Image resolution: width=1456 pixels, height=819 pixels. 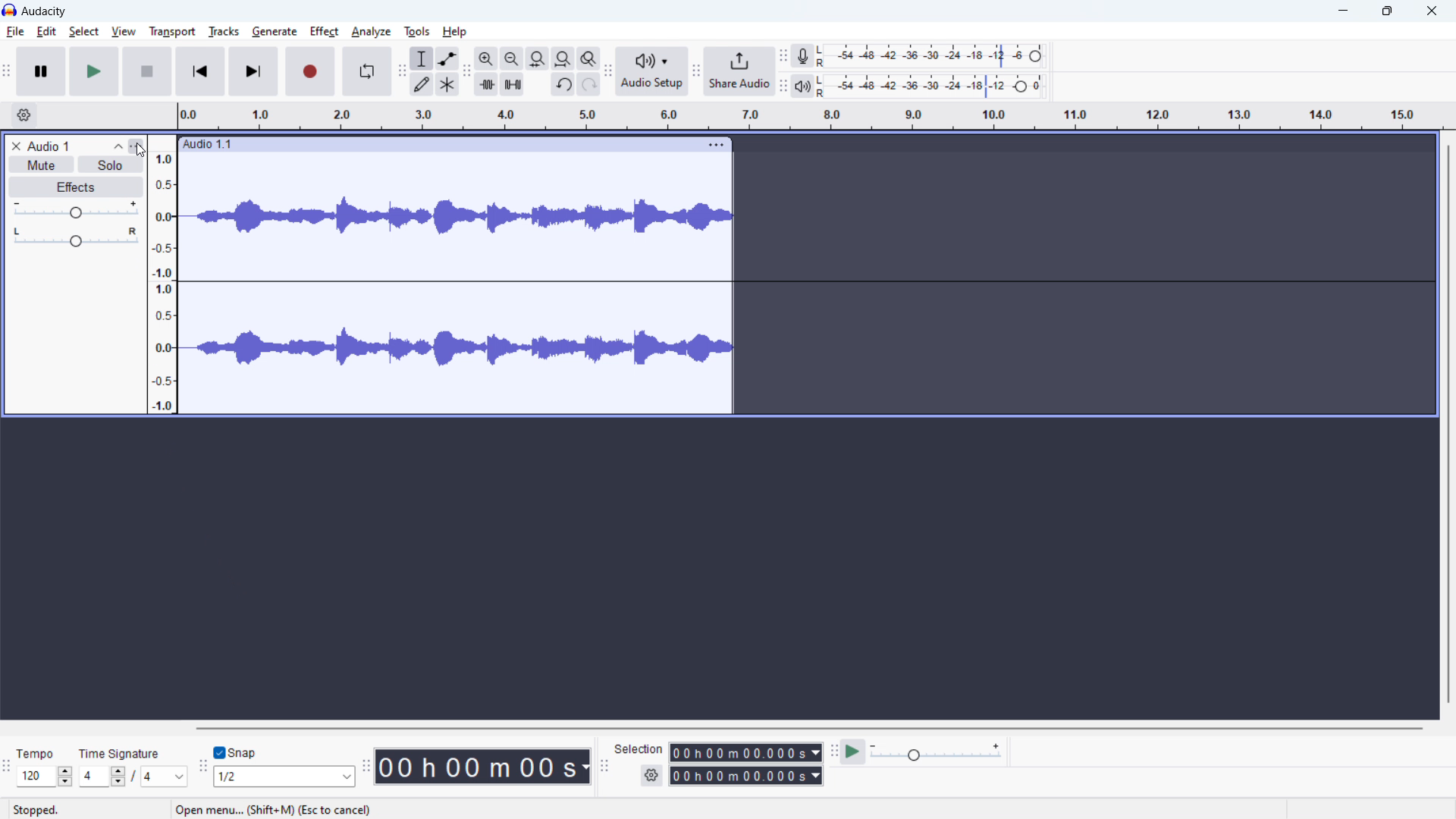 What do you see at coordinates (438, 144) in the screenshot?
I see `click to move` at bounding box center [438, 144].